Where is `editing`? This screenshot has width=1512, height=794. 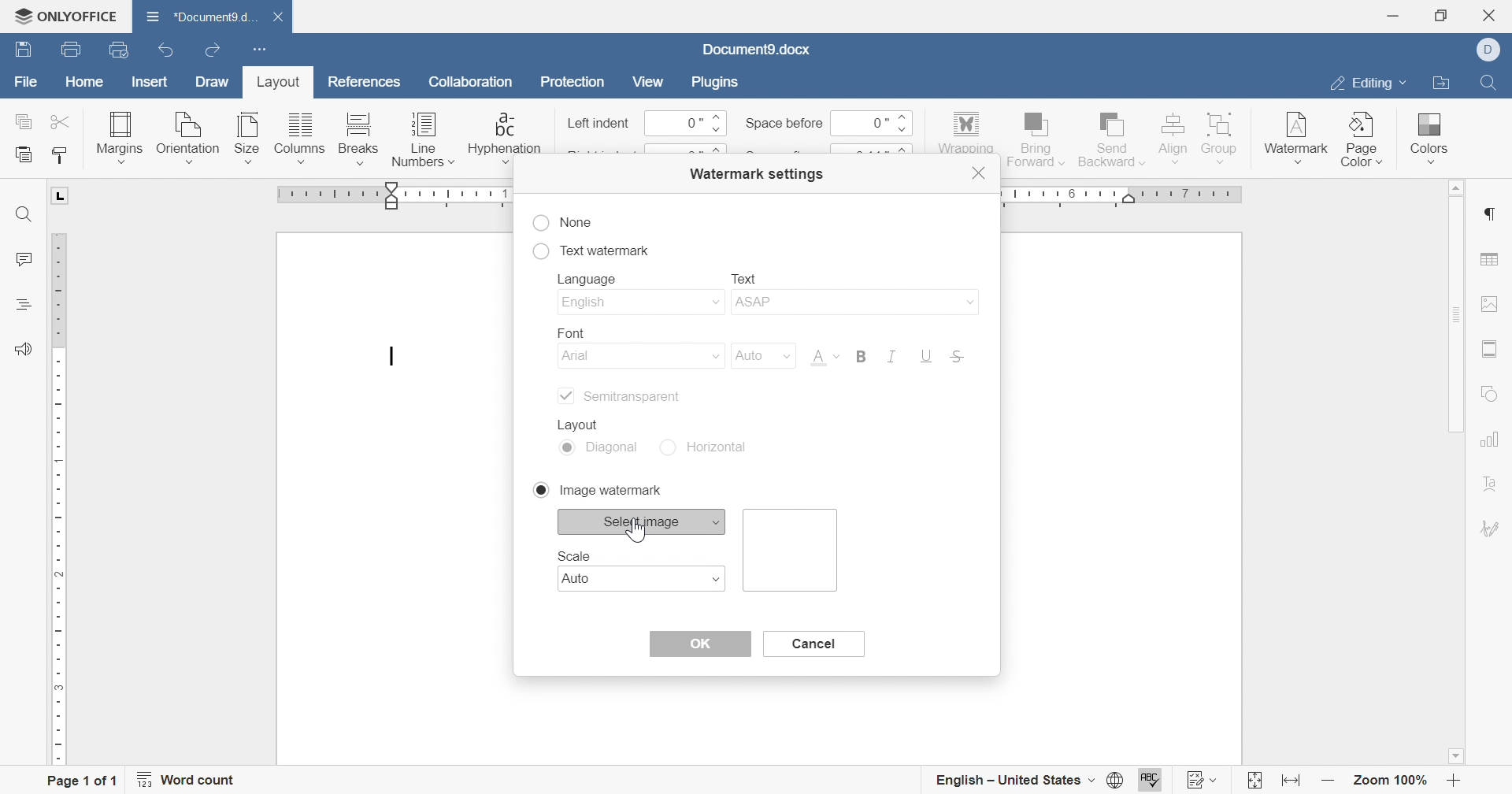
editing is located at coordinates (1365, 86).